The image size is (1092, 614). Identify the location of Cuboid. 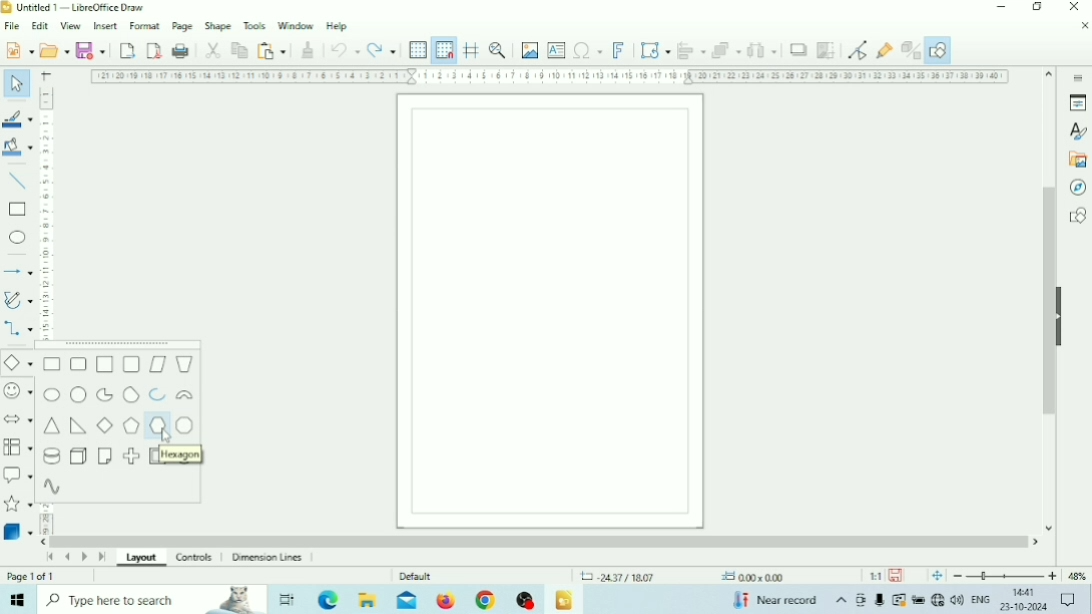
(79, 456).